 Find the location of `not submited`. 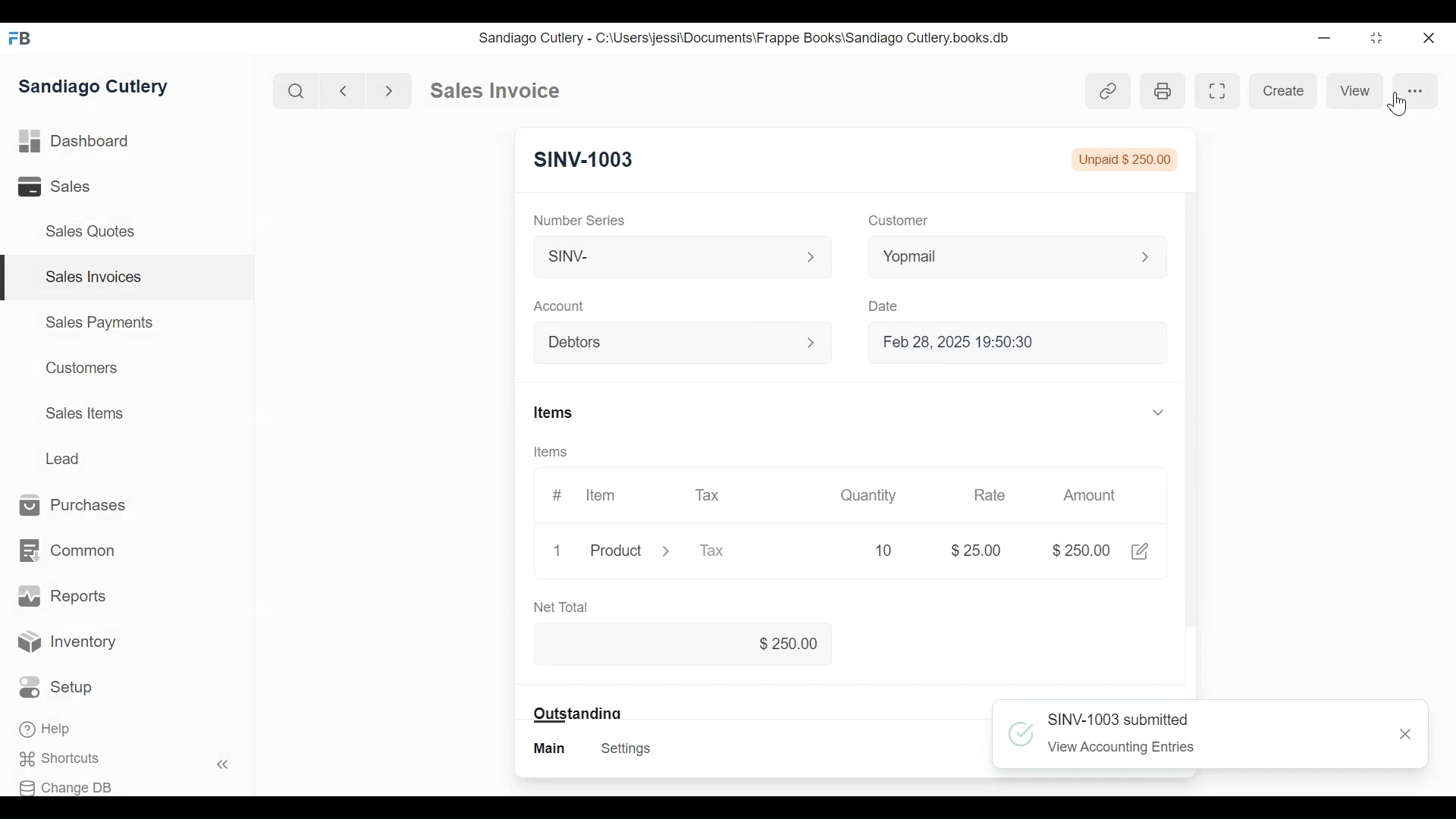

not submited is located at coordinates (1128, 158).